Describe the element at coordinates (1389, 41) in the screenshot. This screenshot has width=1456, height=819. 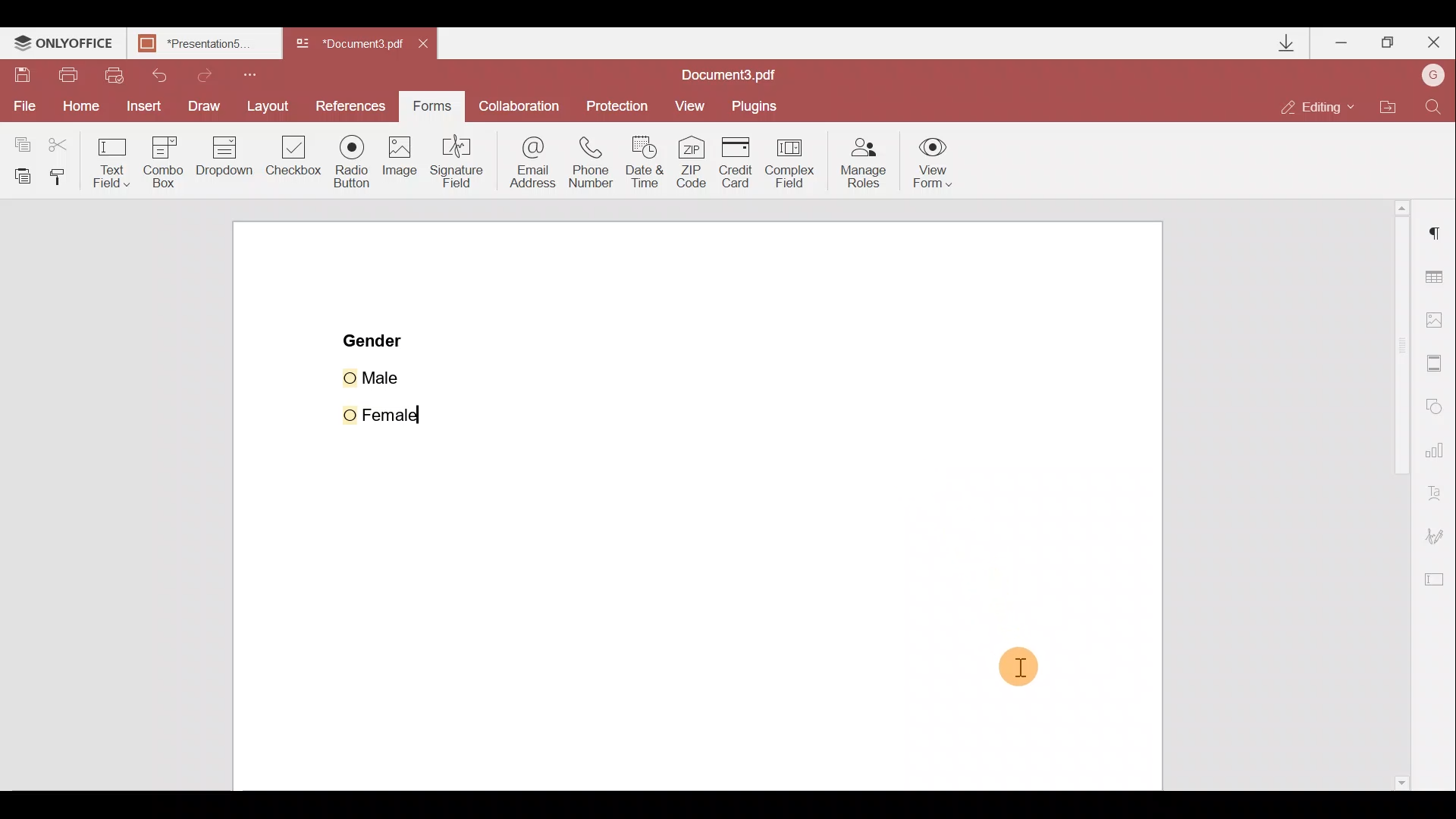
I see `Maximize` at that location.